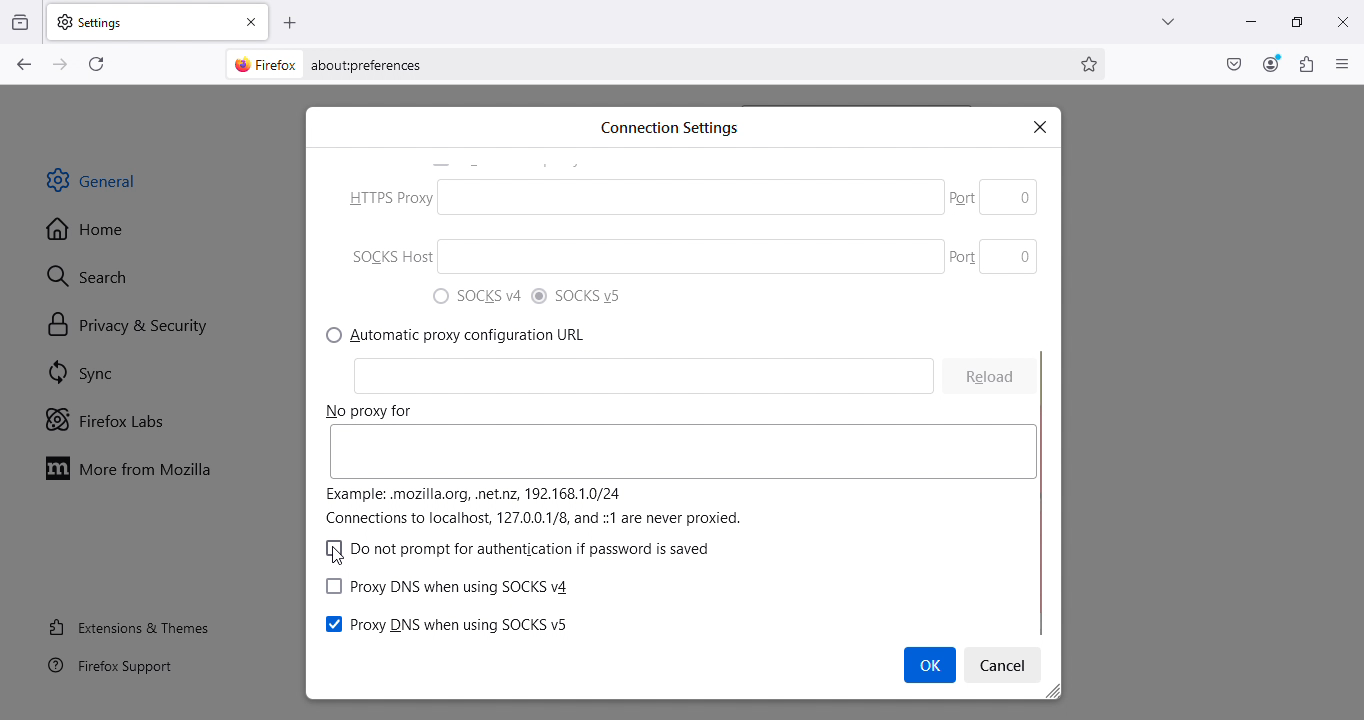 The image size is (1364, 720). What do you see at coordinates (461, 335) in the screenshot?
I see `7) Manual proxy configuration` at bounding box center [461, 335].